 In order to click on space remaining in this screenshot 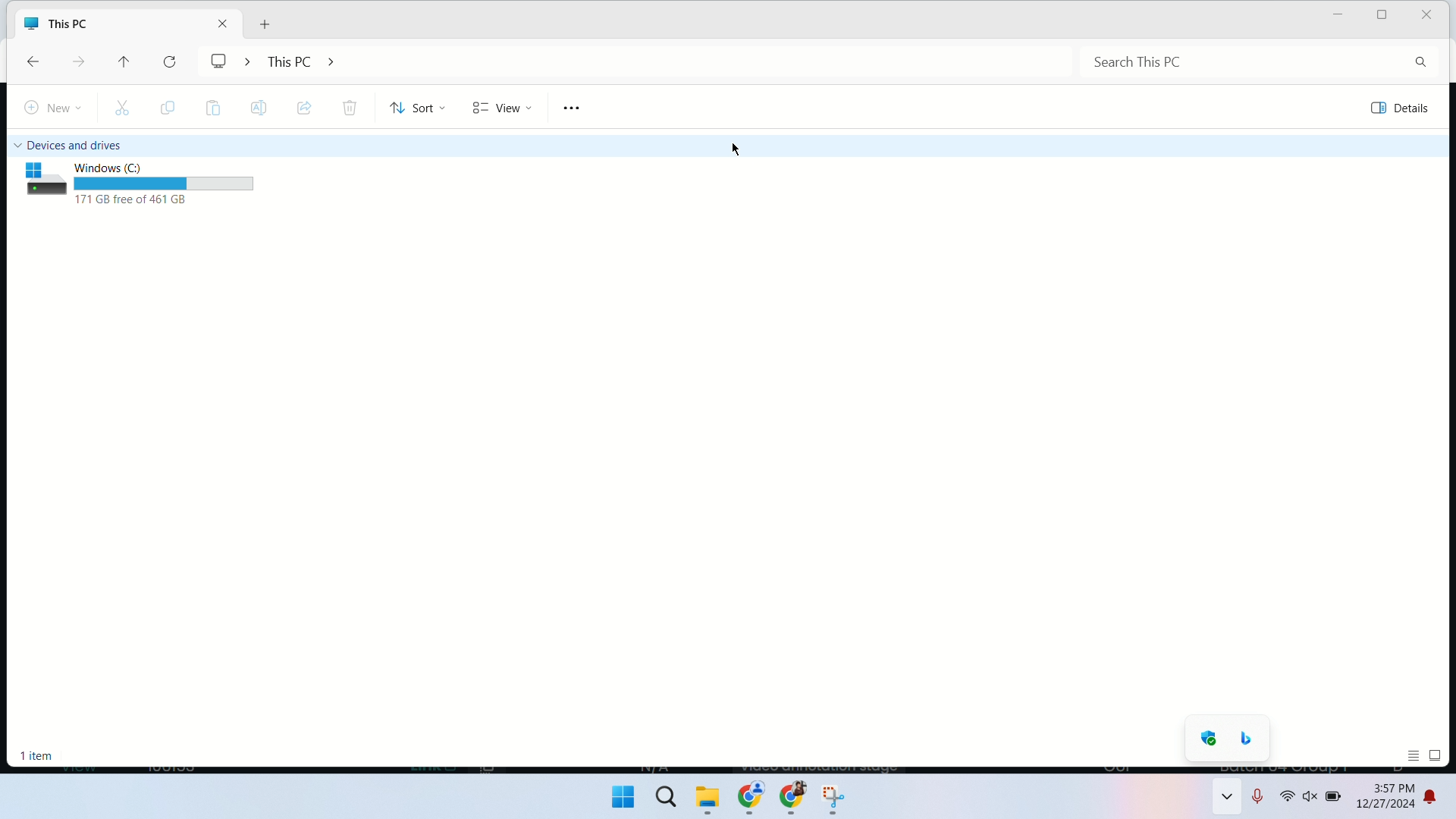, I will do `click(166, 183)`.